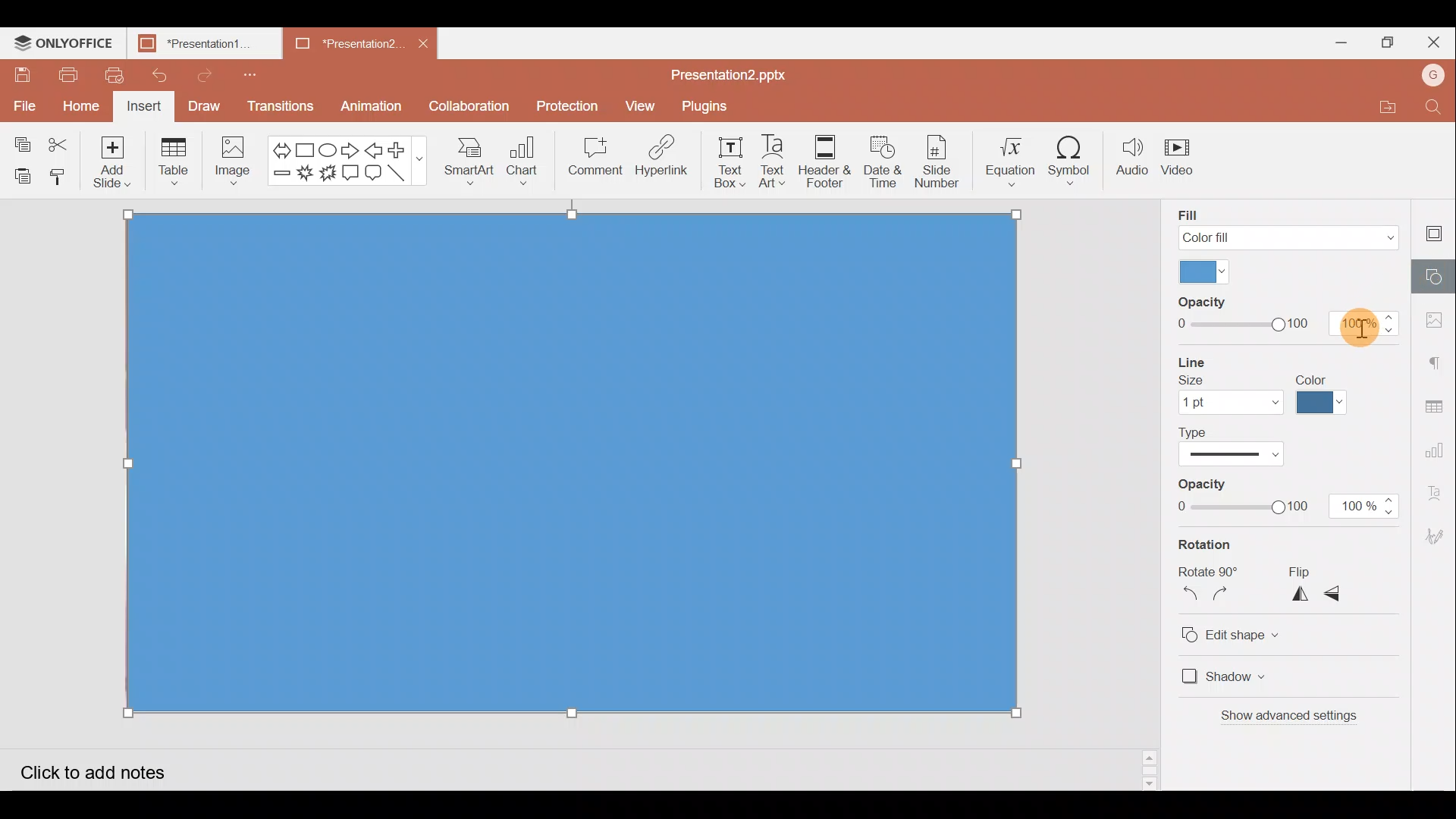 The width and height of the screenshot is (1456, 819). I want to click on Explosion 1, so click(305, 177).